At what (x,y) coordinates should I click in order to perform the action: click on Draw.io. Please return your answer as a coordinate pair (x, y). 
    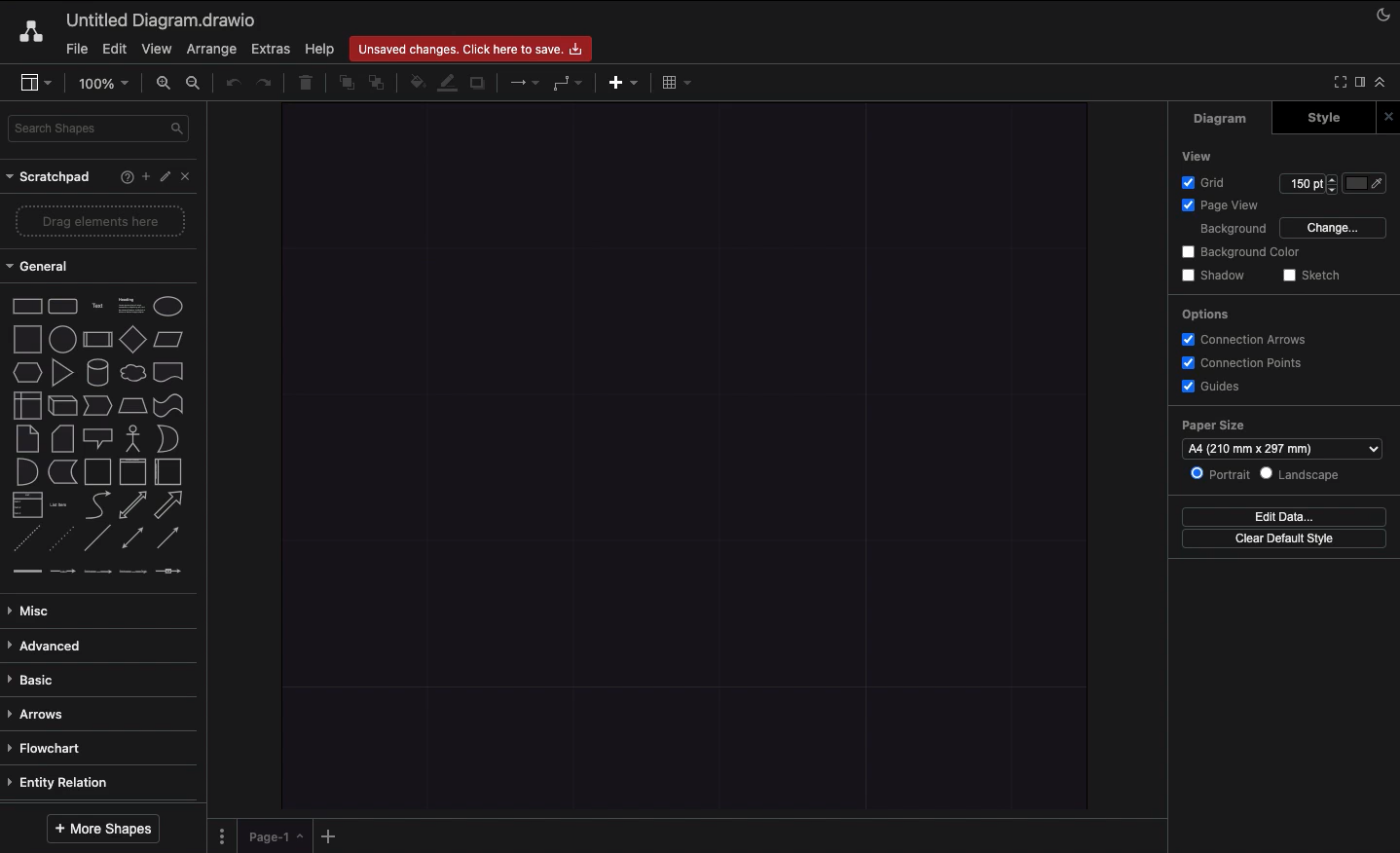
    Looking at the image, I should click on (34, 33).